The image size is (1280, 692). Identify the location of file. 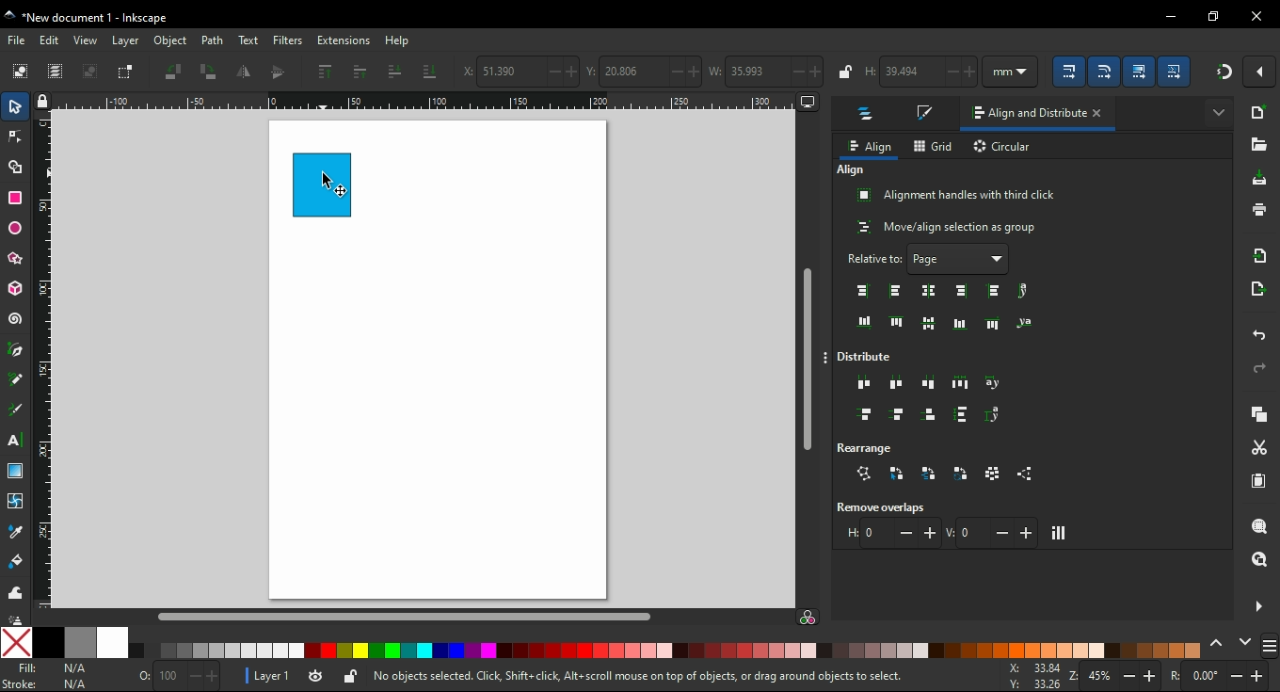
(18, 40).